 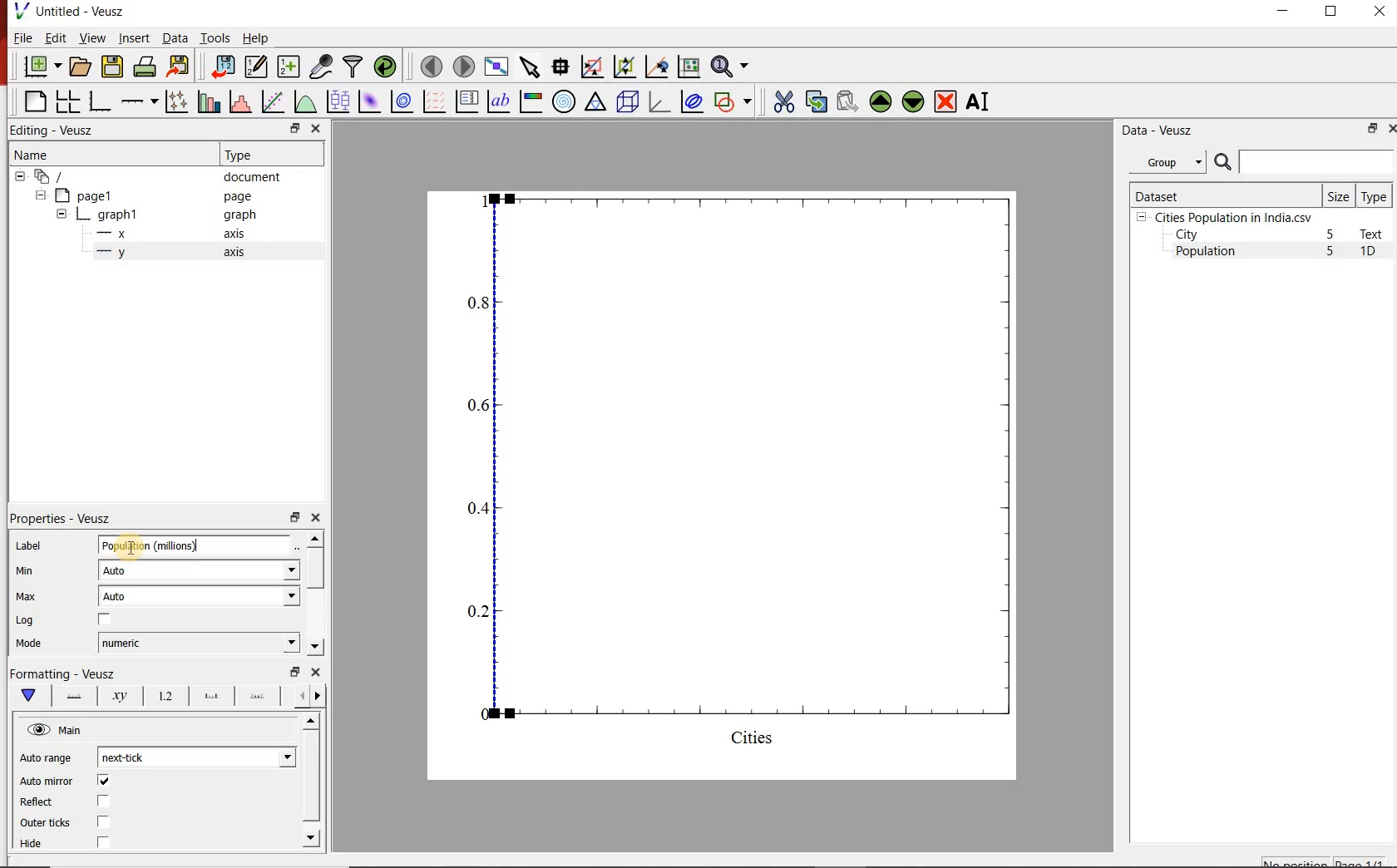 What do you see at coordinates (312, 695) in the screenshot?
I see `Grid lines` at bounding box center [312, 695].